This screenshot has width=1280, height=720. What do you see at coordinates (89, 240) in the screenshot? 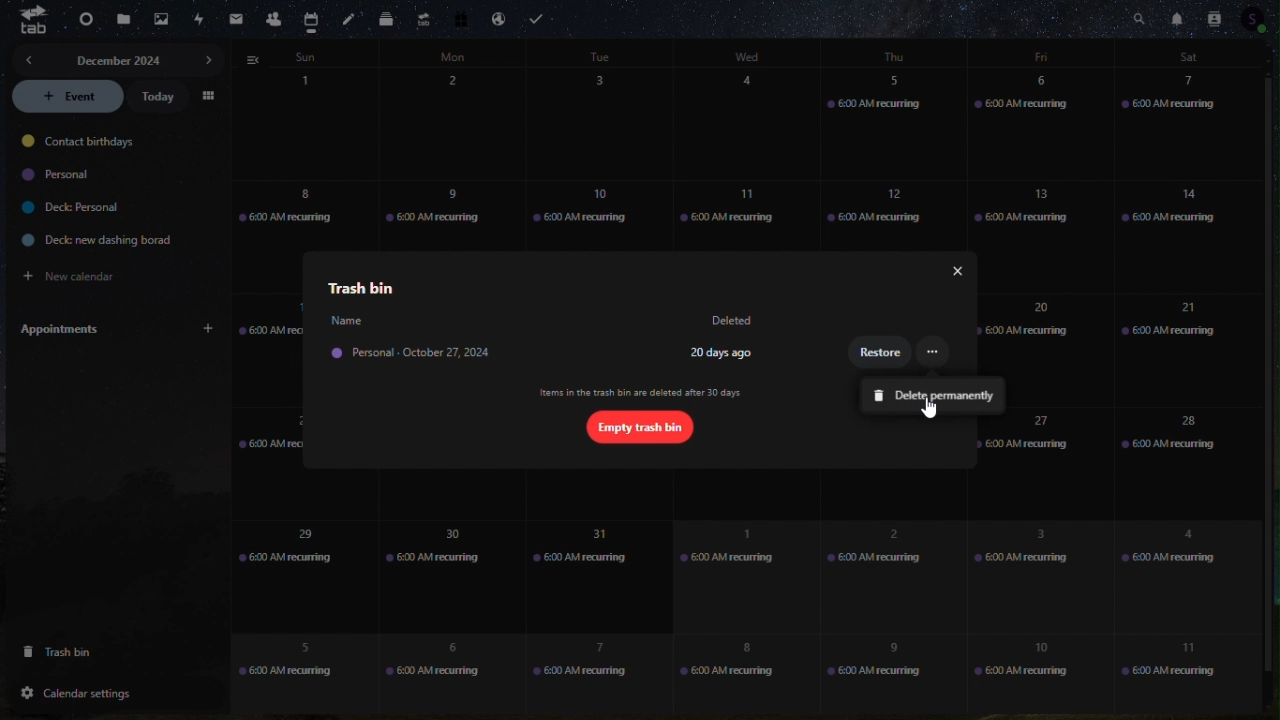
I see `deck: new dashing borad` at bounding box center [89, 240].